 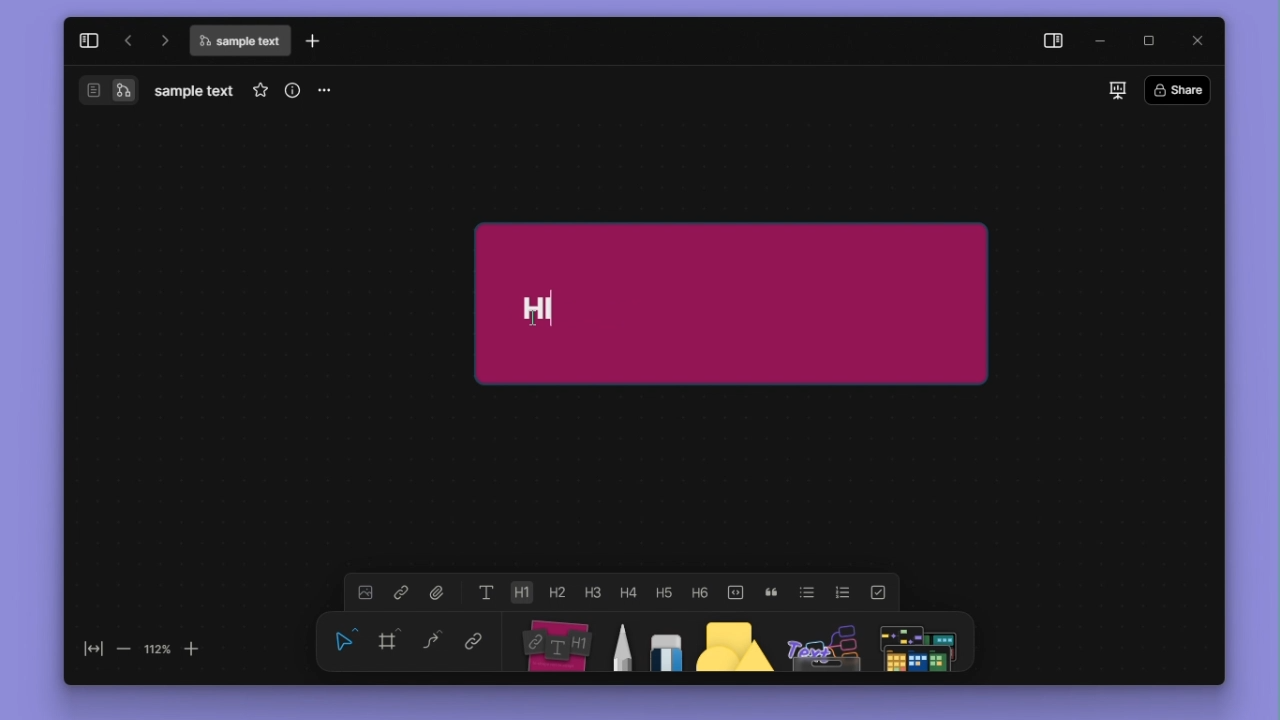 I want to click on new tab, so click(x=313, y=40).